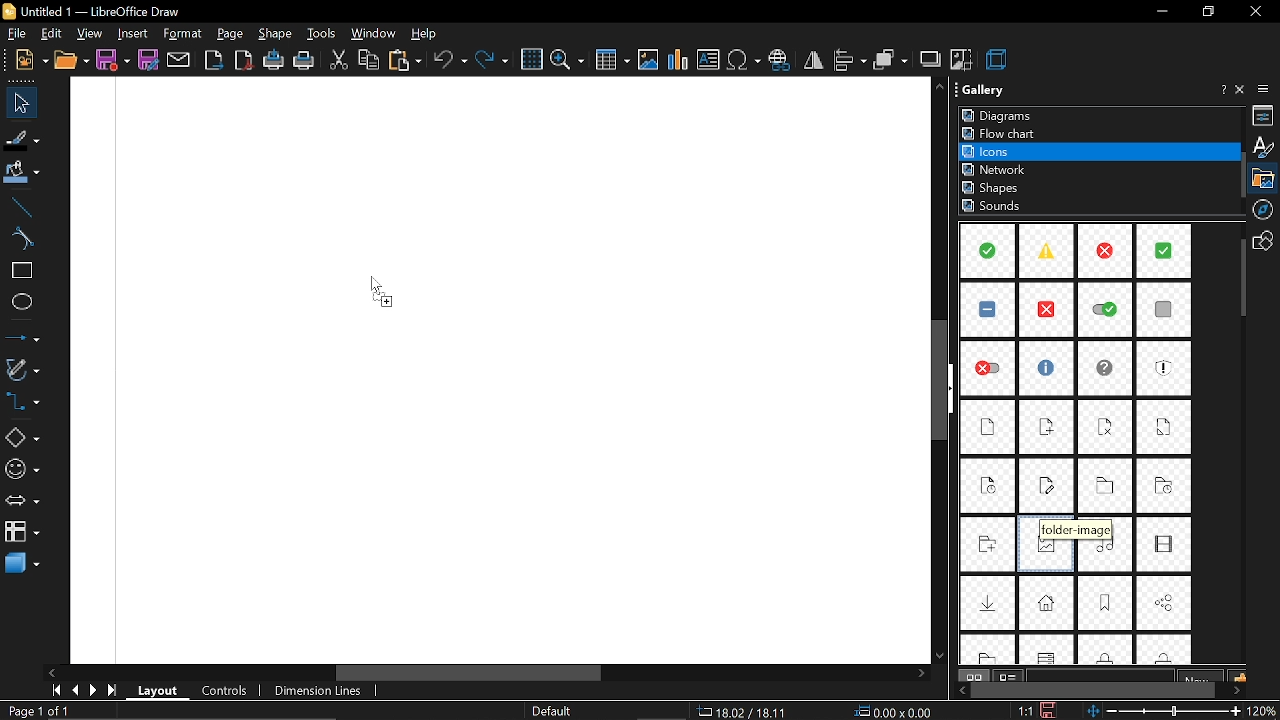 This screenshot has width=1280, height=720. I want to click on basic shapes, so click(21, 440).